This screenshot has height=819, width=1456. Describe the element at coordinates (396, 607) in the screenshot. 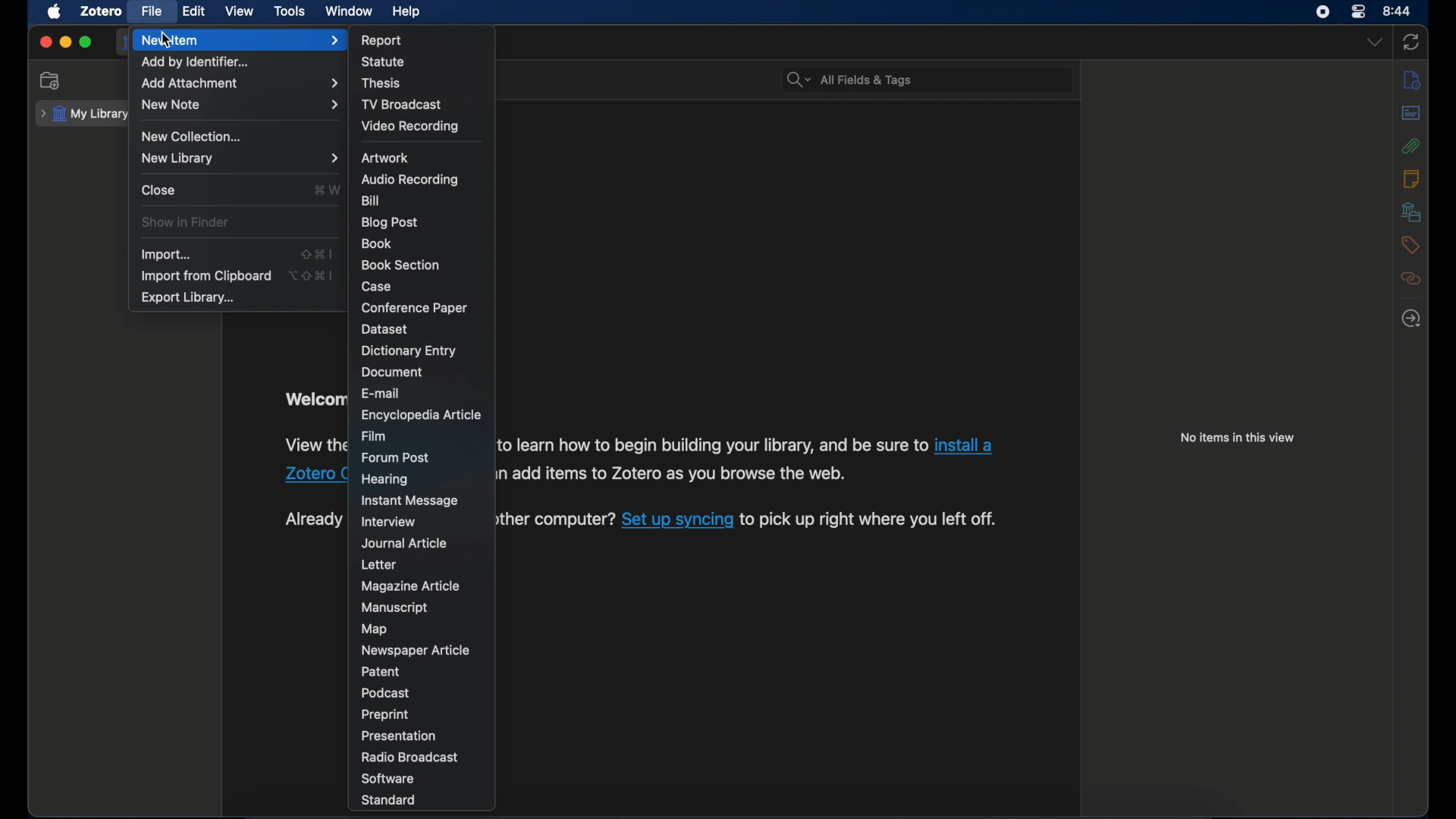

I see `manuscript` at that location.